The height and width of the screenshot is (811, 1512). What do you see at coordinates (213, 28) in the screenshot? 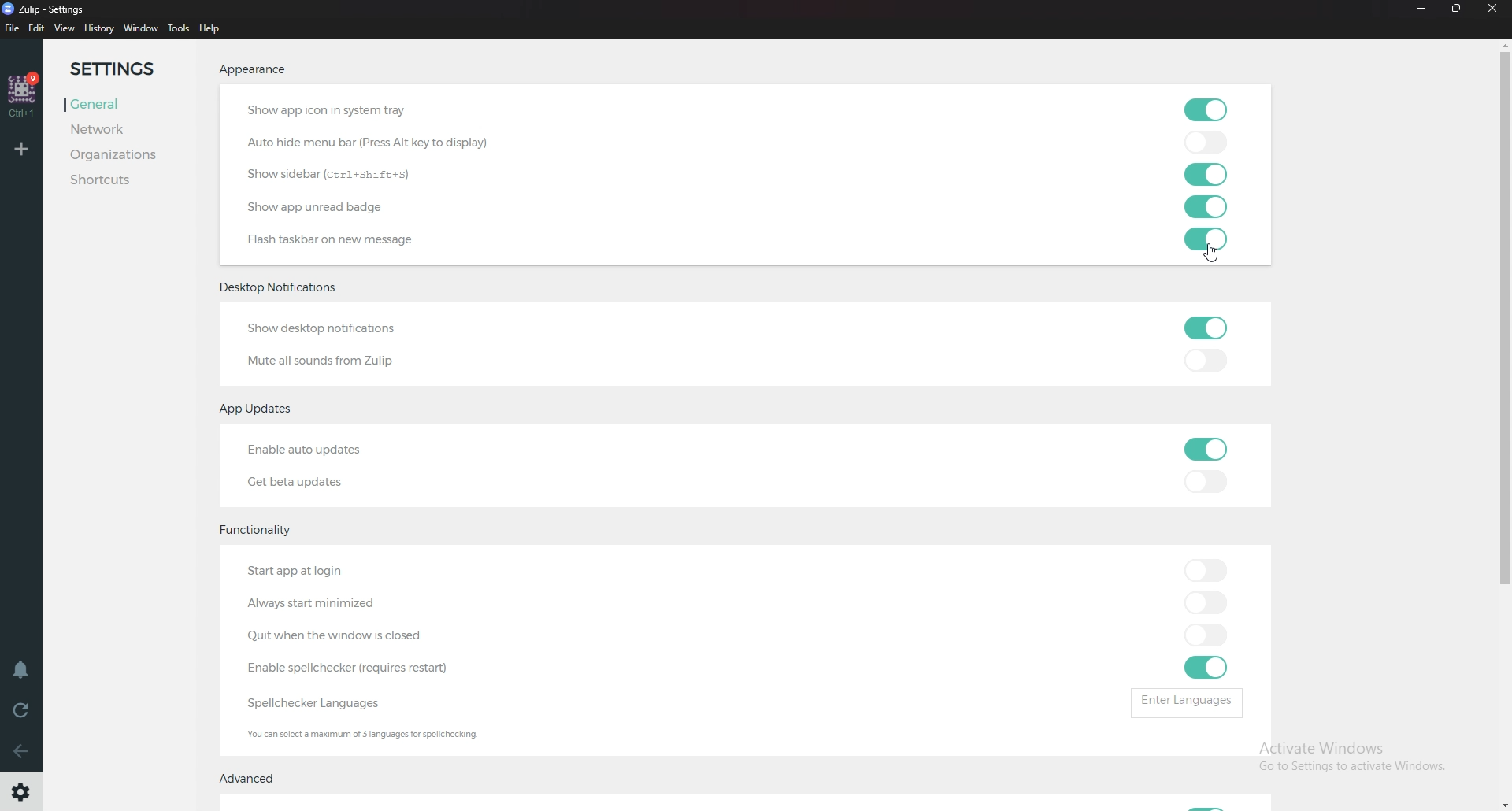
I see `Help` at bounding box center [213, 28].